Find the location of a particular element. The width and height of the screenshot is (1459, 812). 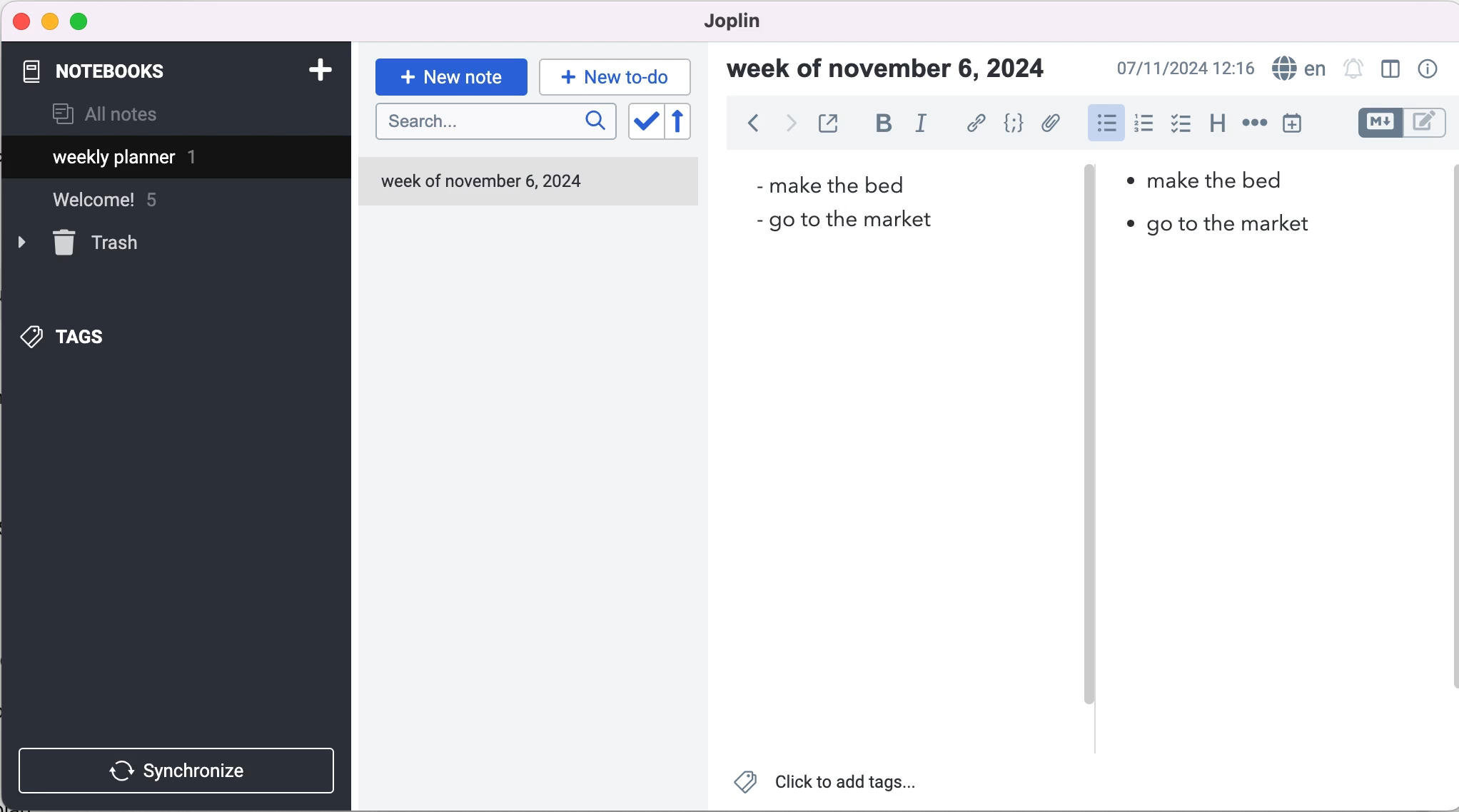

toggle editors is located at coordinates (1402, 125).